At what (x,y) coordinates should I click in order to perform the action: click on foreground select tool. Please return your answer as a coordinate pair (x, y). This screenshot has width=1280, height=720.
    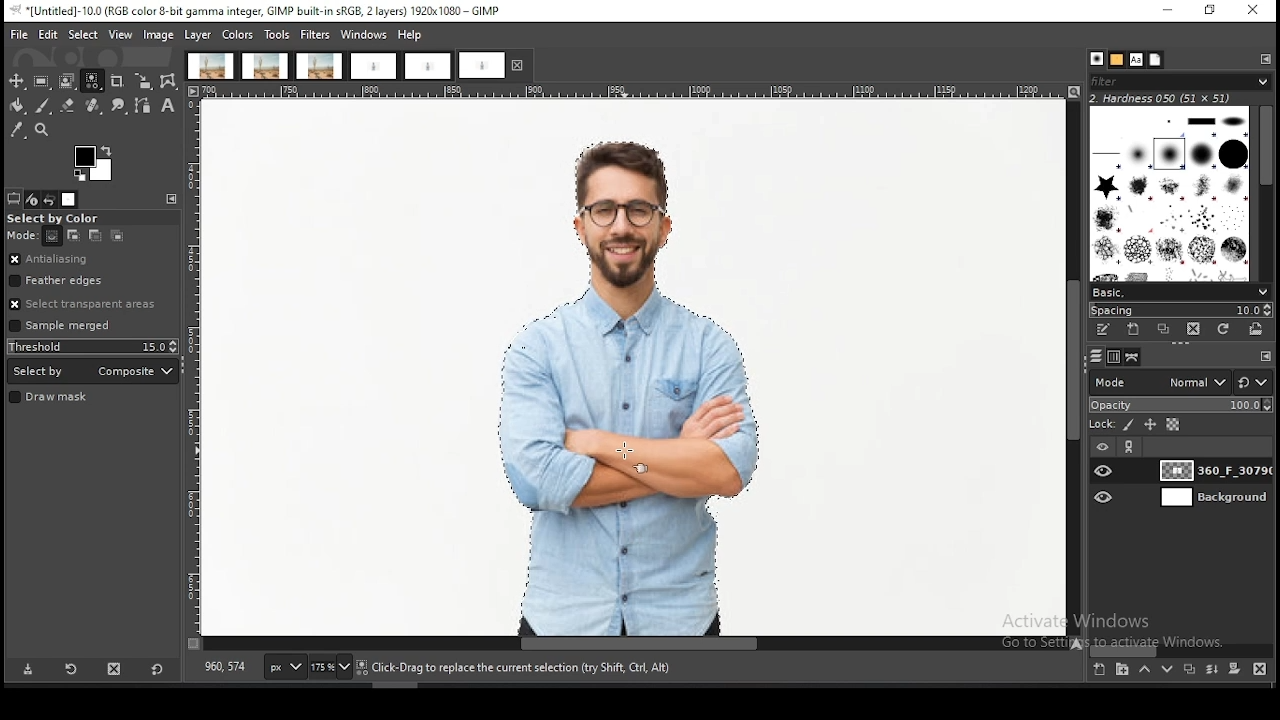
    Looking at the image, I should click on (67, 81).